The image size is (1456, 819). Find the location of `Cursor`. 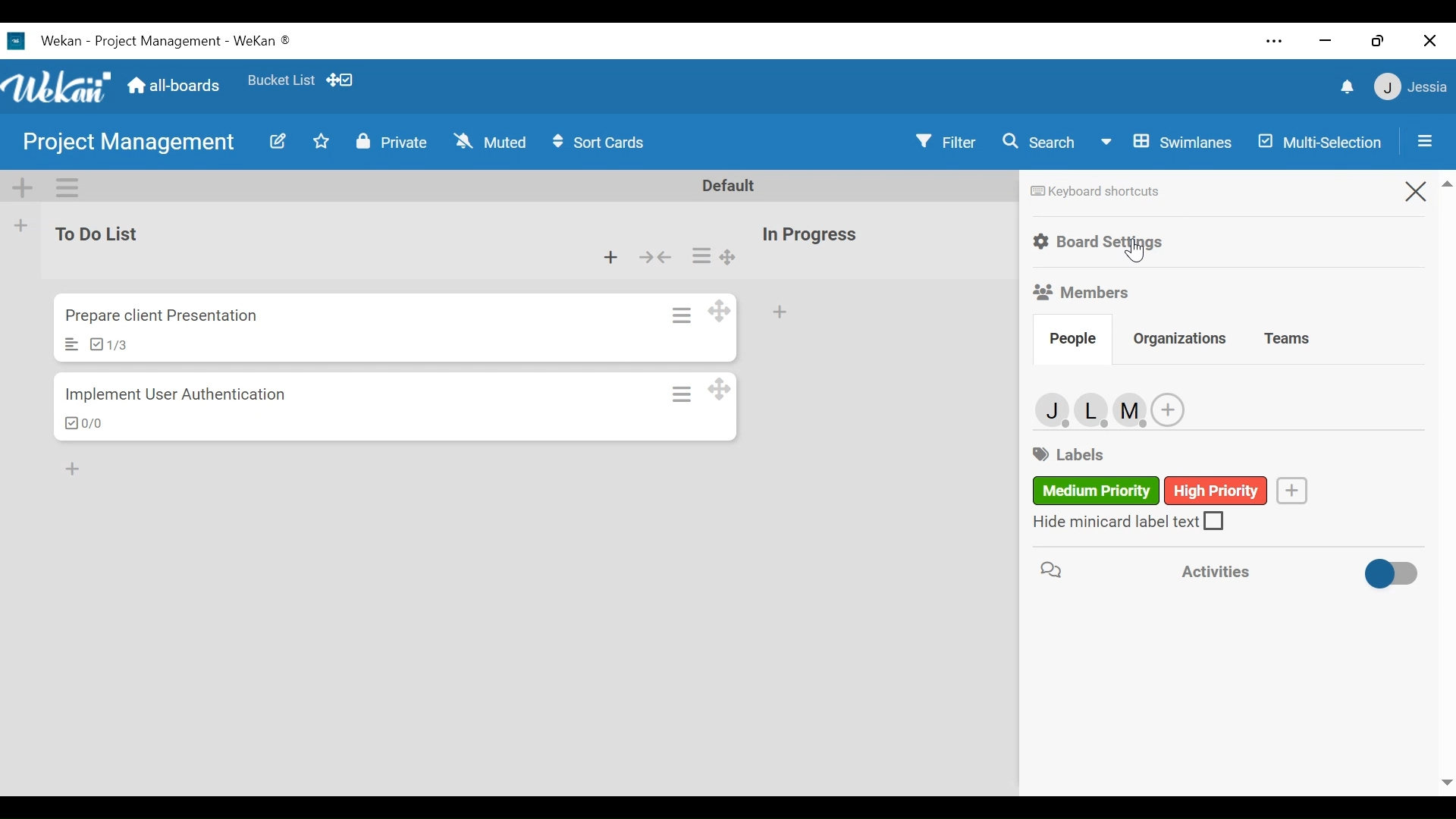

Cursor is located at coordinates (1139, 253).